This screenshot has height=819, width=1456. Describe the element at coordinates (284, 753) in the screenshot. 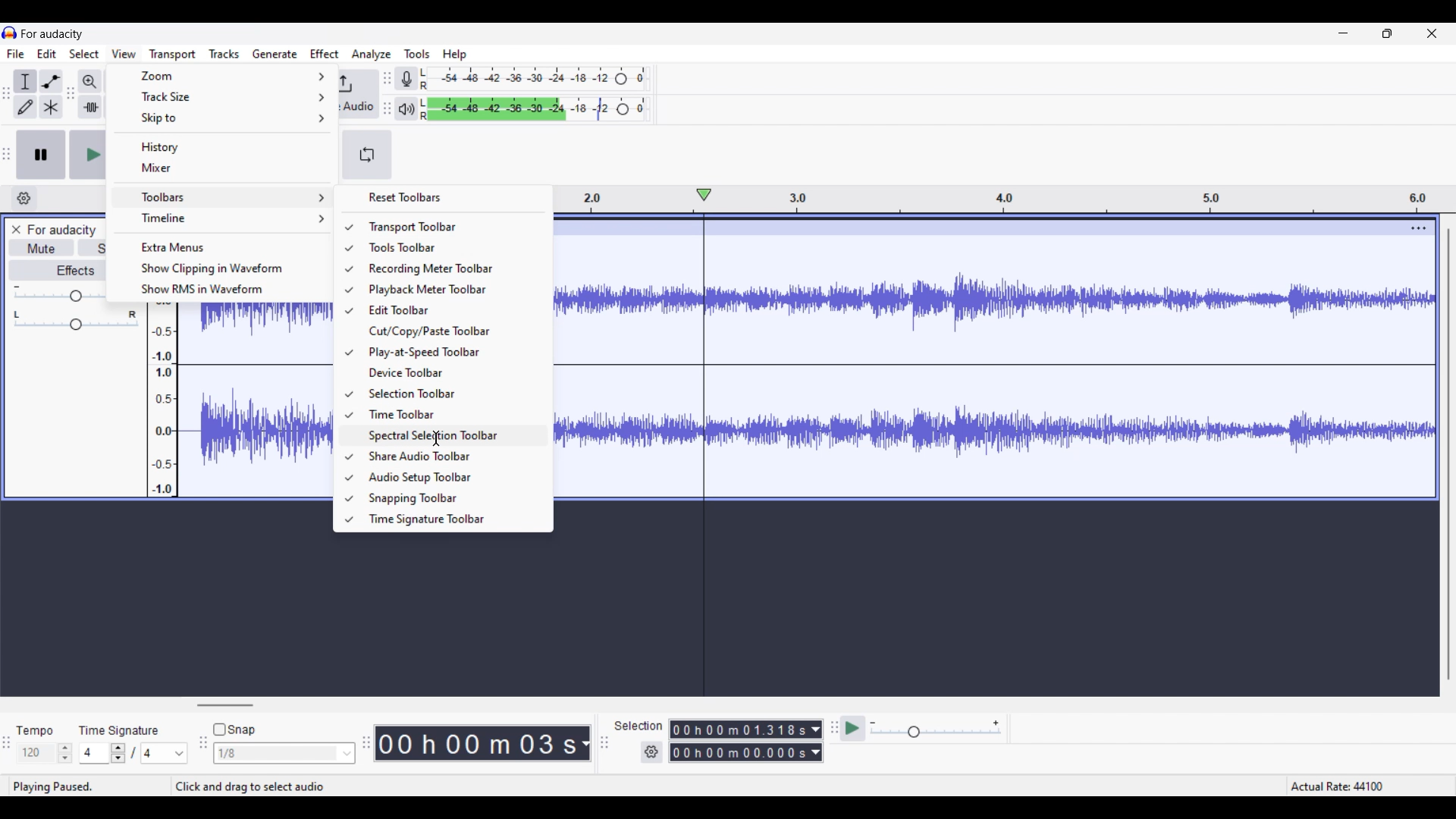

I see `Snap options` at that location.